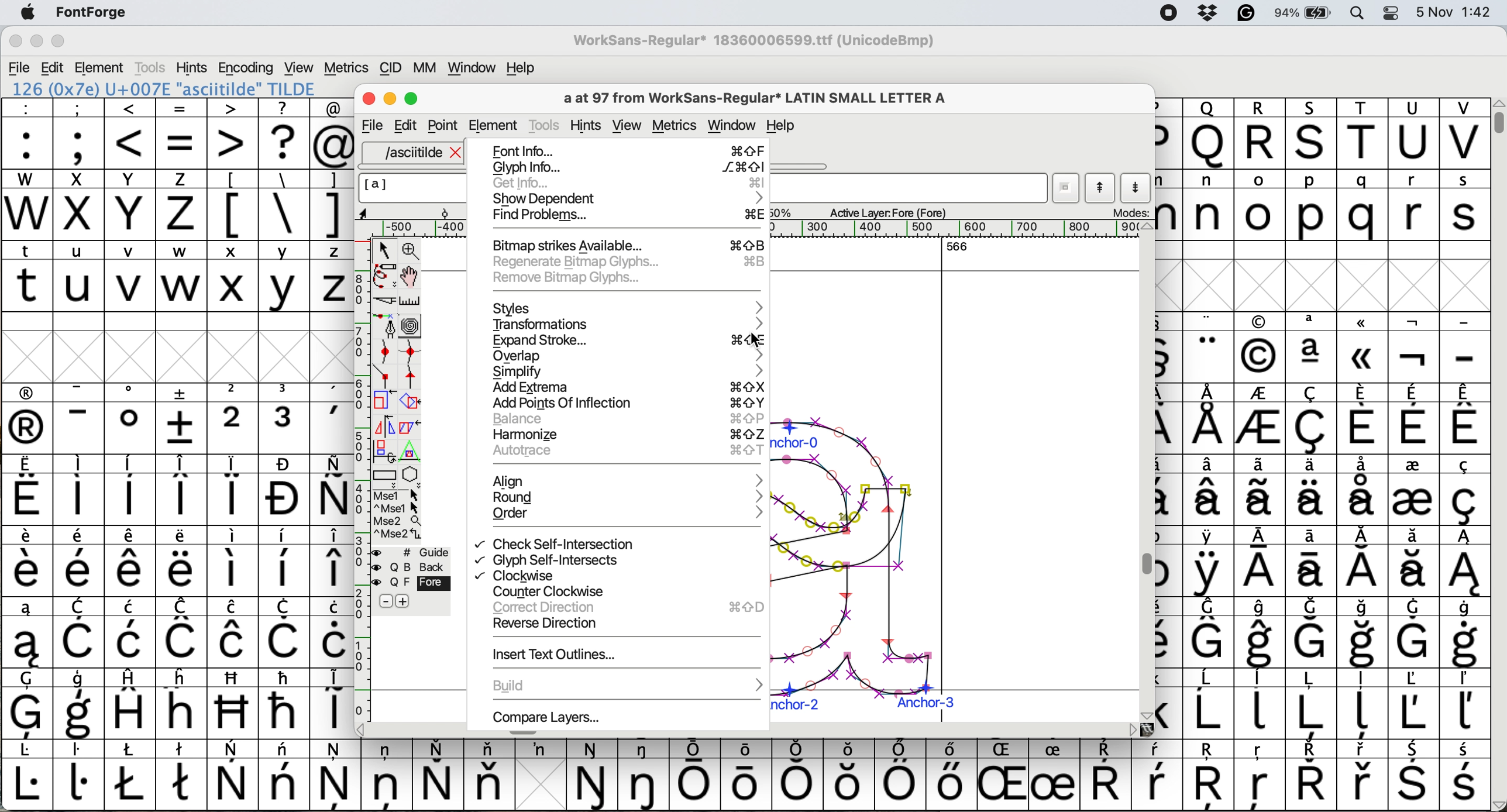 The image size is (1507, 812). I want to click on symbol, so click(1312, 562).